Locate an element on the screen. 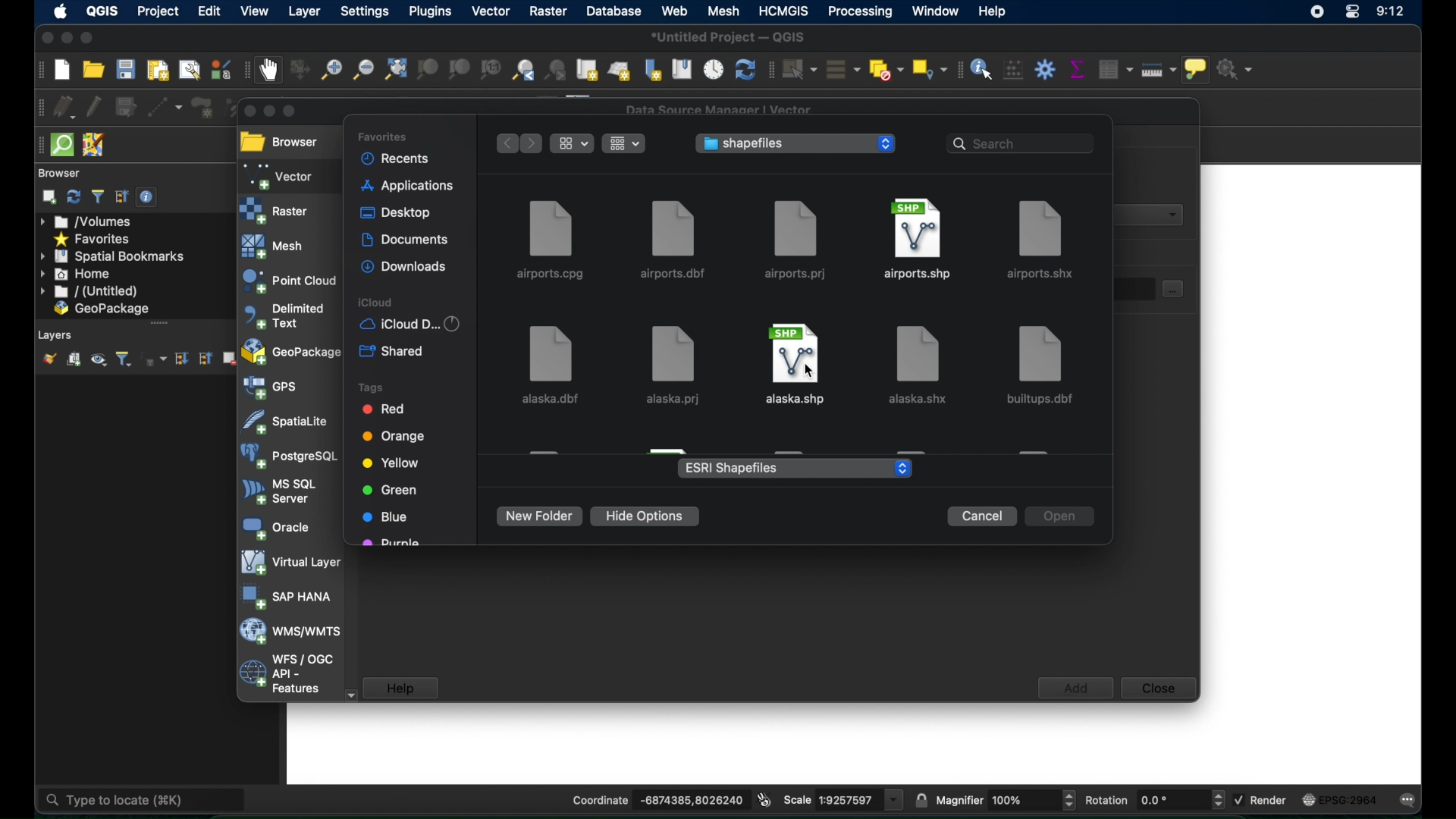  manage map themes is located at coordinates (99, 361).